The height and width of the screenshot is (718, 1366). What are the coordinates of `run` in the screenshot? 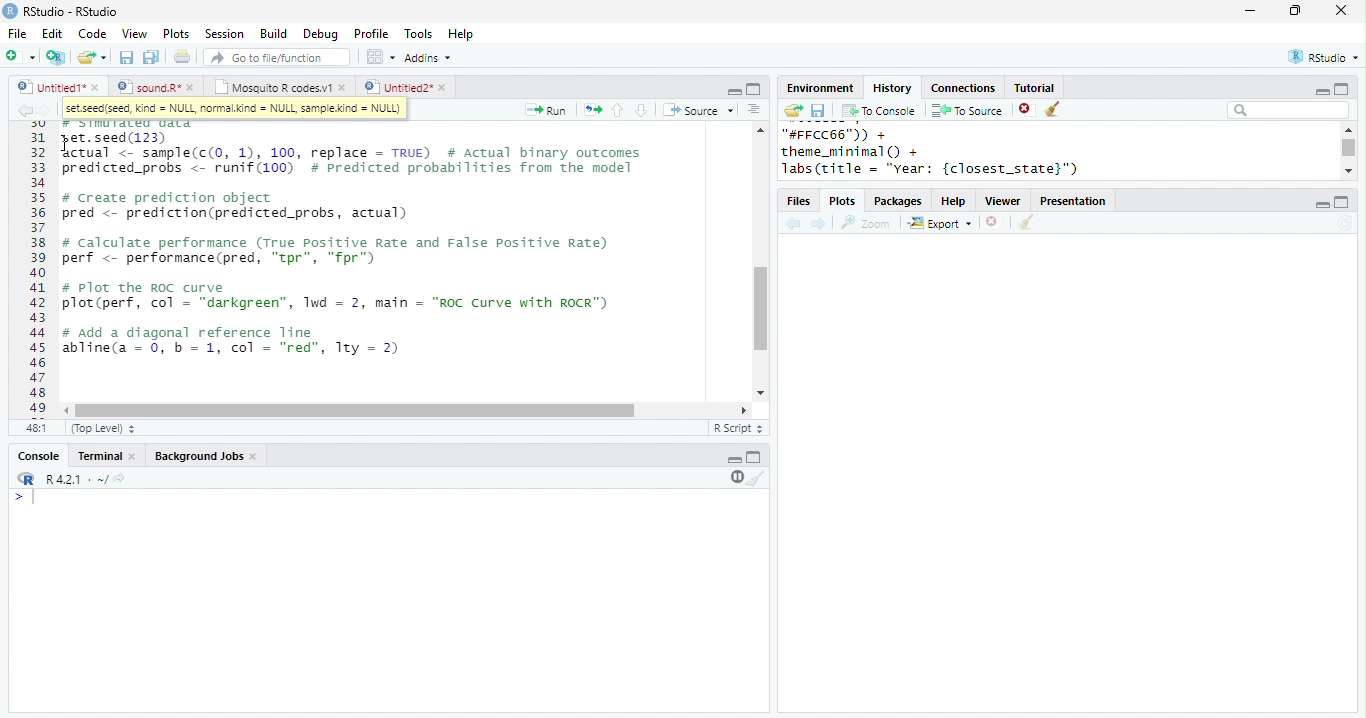 It's located at (545, 110).